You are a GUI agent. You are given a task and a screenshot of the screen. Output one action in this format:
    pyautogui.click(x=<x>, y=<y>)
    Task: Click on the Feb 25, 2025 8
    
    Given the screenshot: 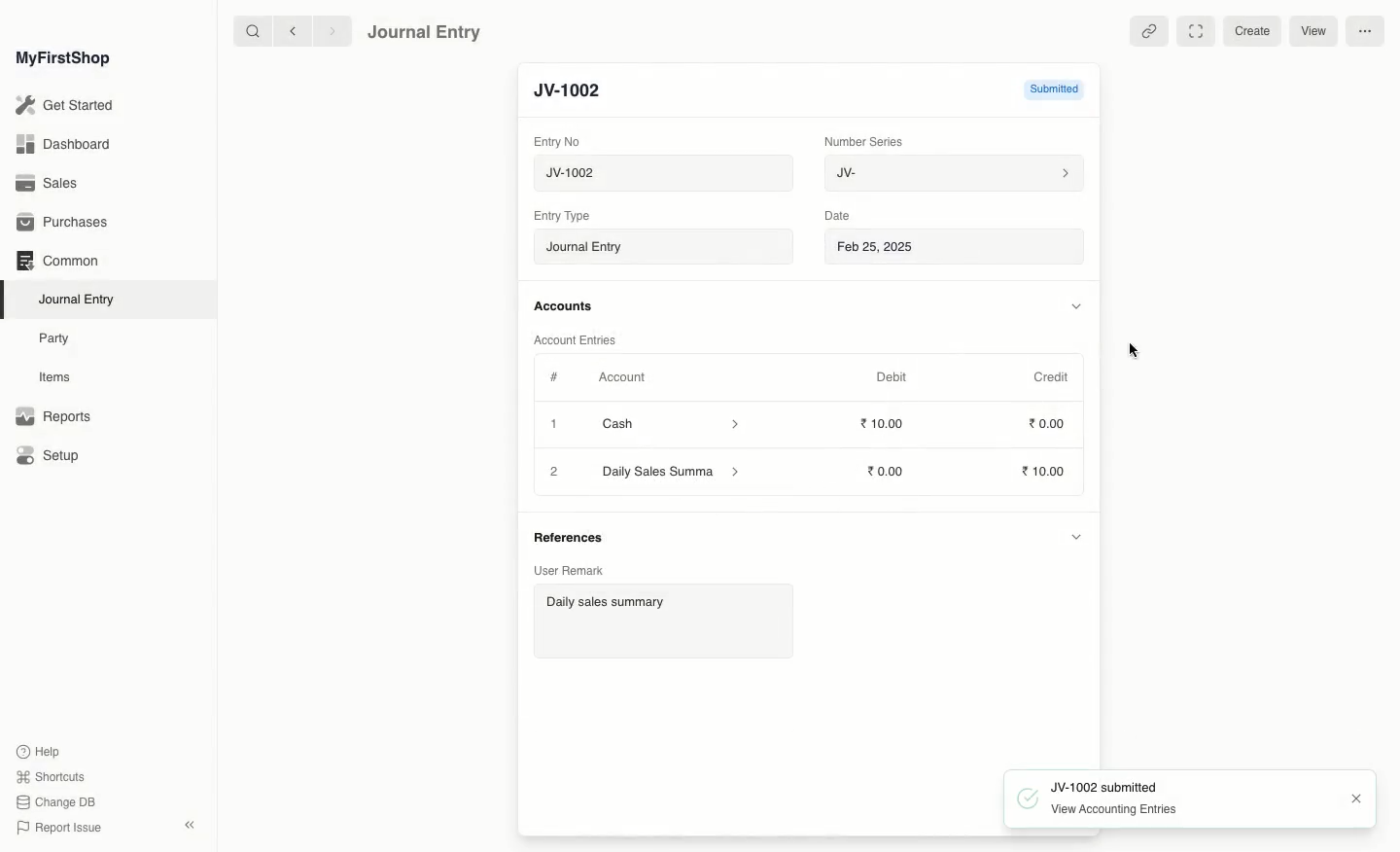 What is the action you would take?
    pyautogui.click(x=956, y=246)
    